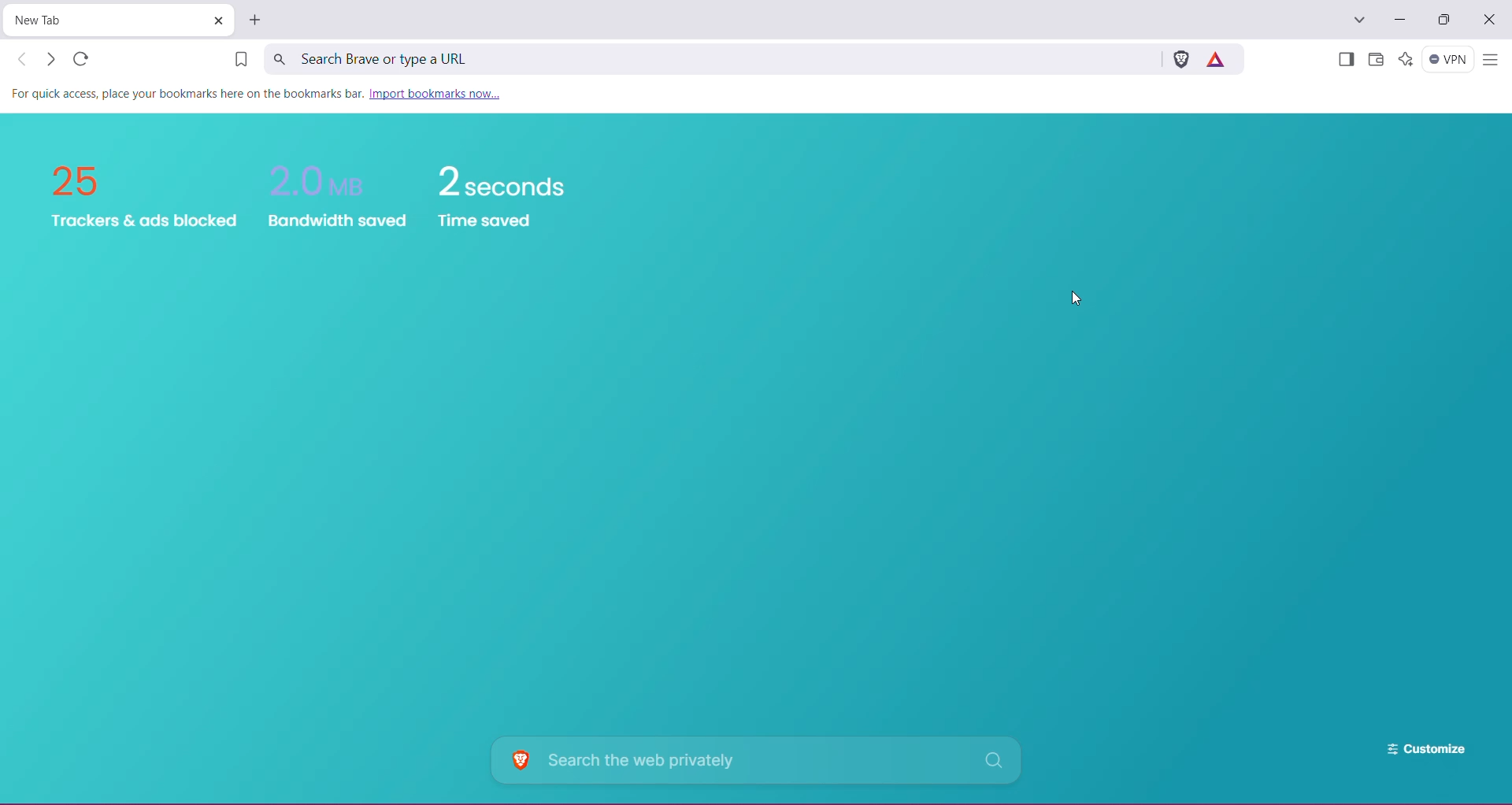  I want to click on cursor, so click(1071, 298).